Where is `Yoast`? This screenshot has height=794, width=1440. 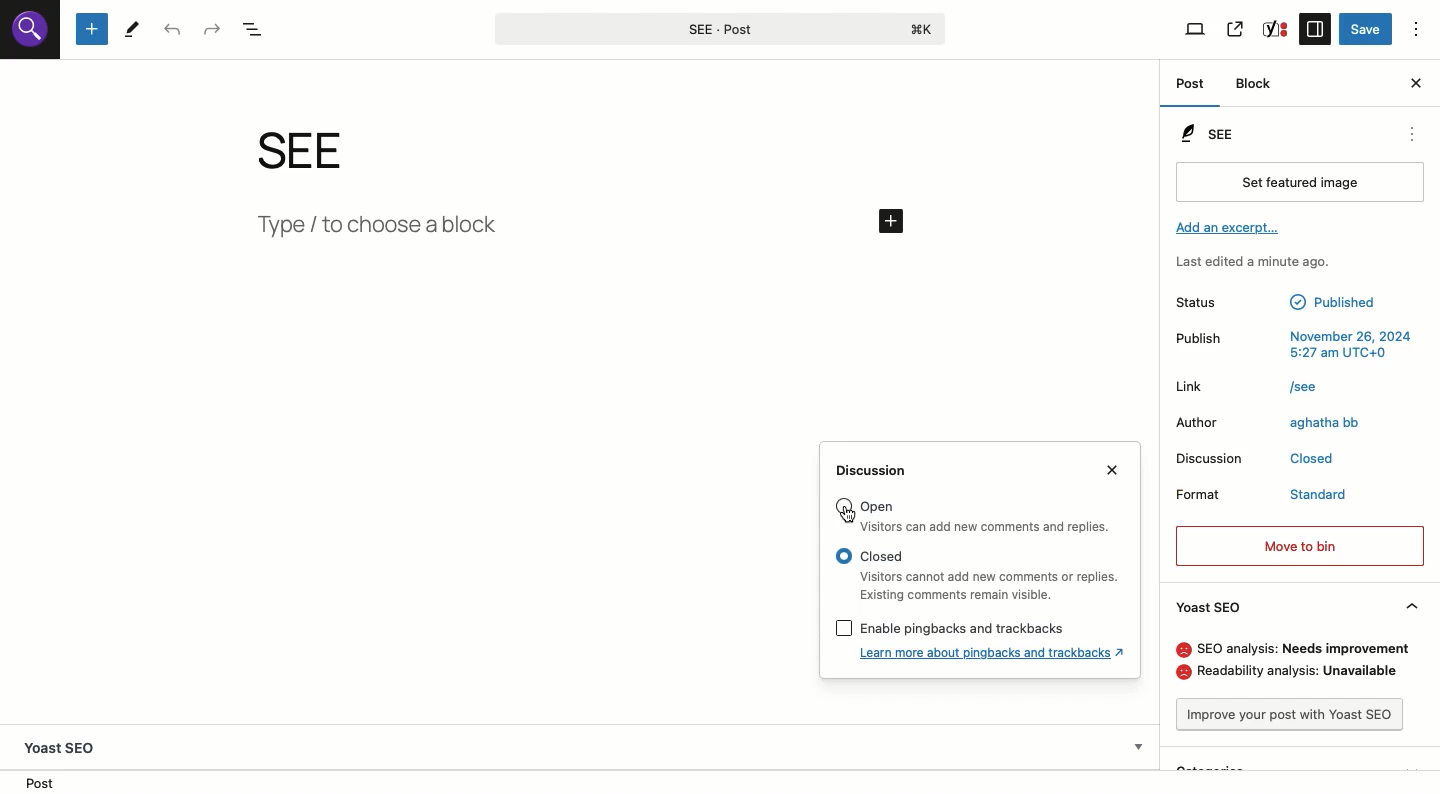
Yoast is located at coordinates (1276, 30).